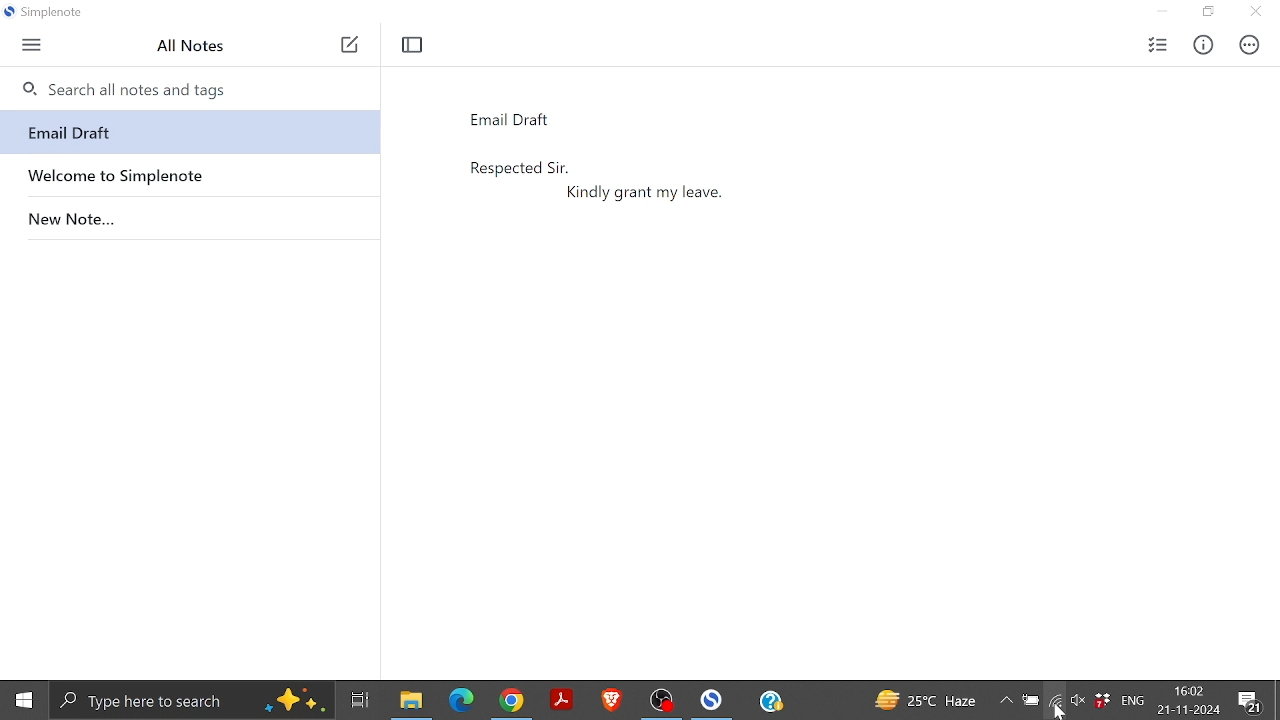  Describe the element at coordinates (1056, 704) in the screenshot. I see `Network` at that location.